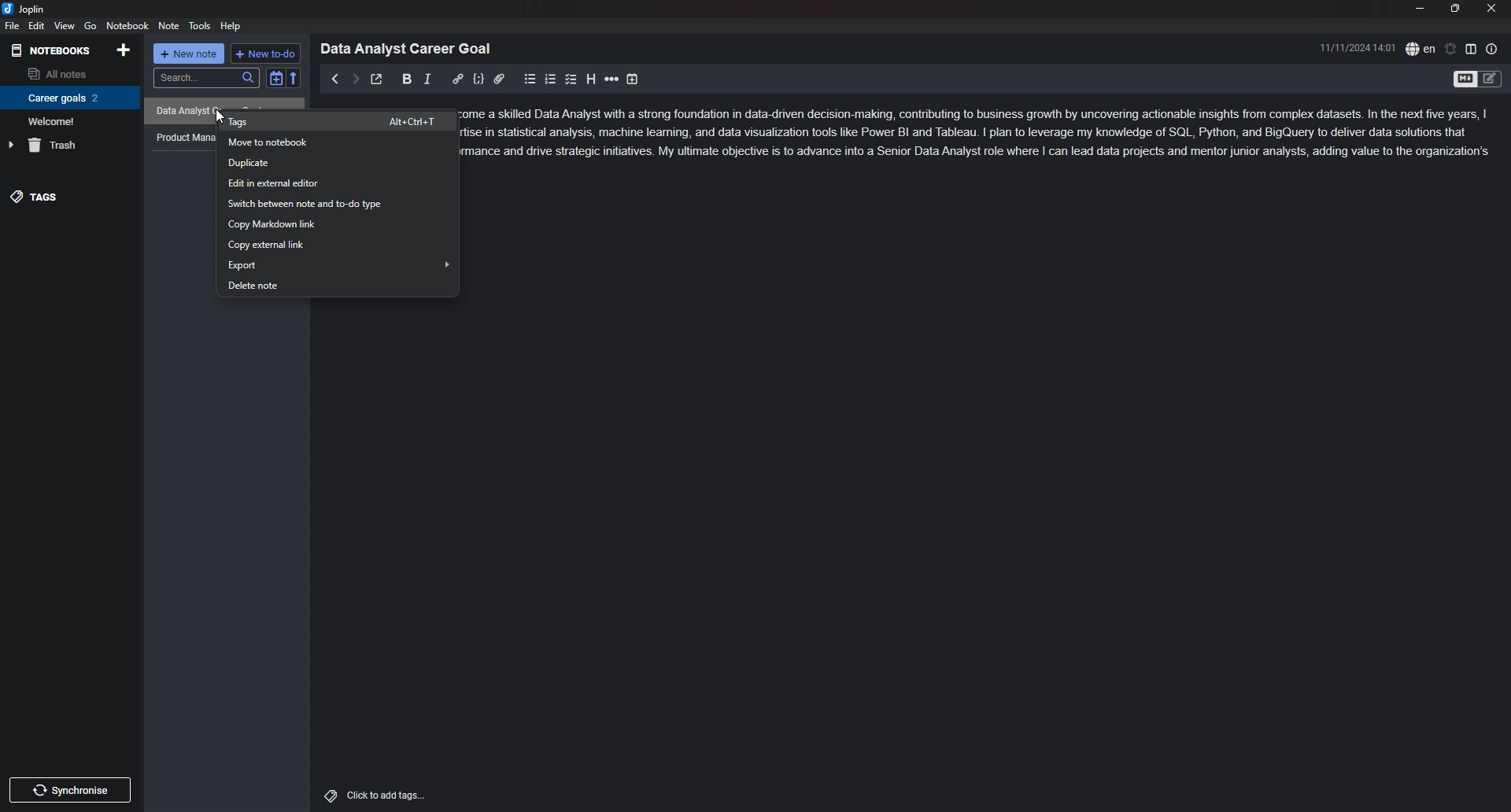  I want to click on + new to do, so click(264, 54).